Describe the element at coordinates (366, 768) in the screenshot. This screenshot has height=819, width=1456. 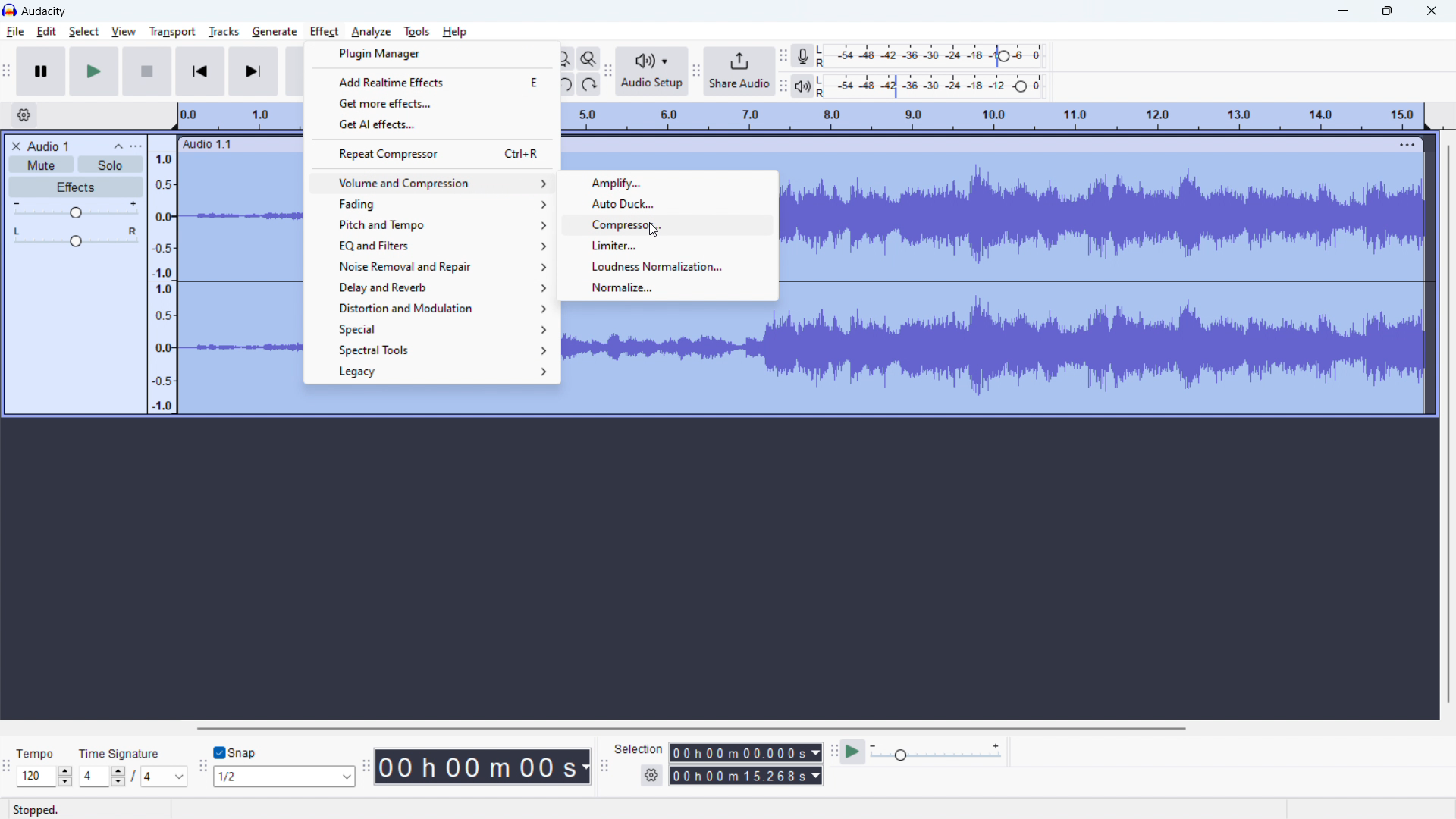
I see `time toolbar` at that location.